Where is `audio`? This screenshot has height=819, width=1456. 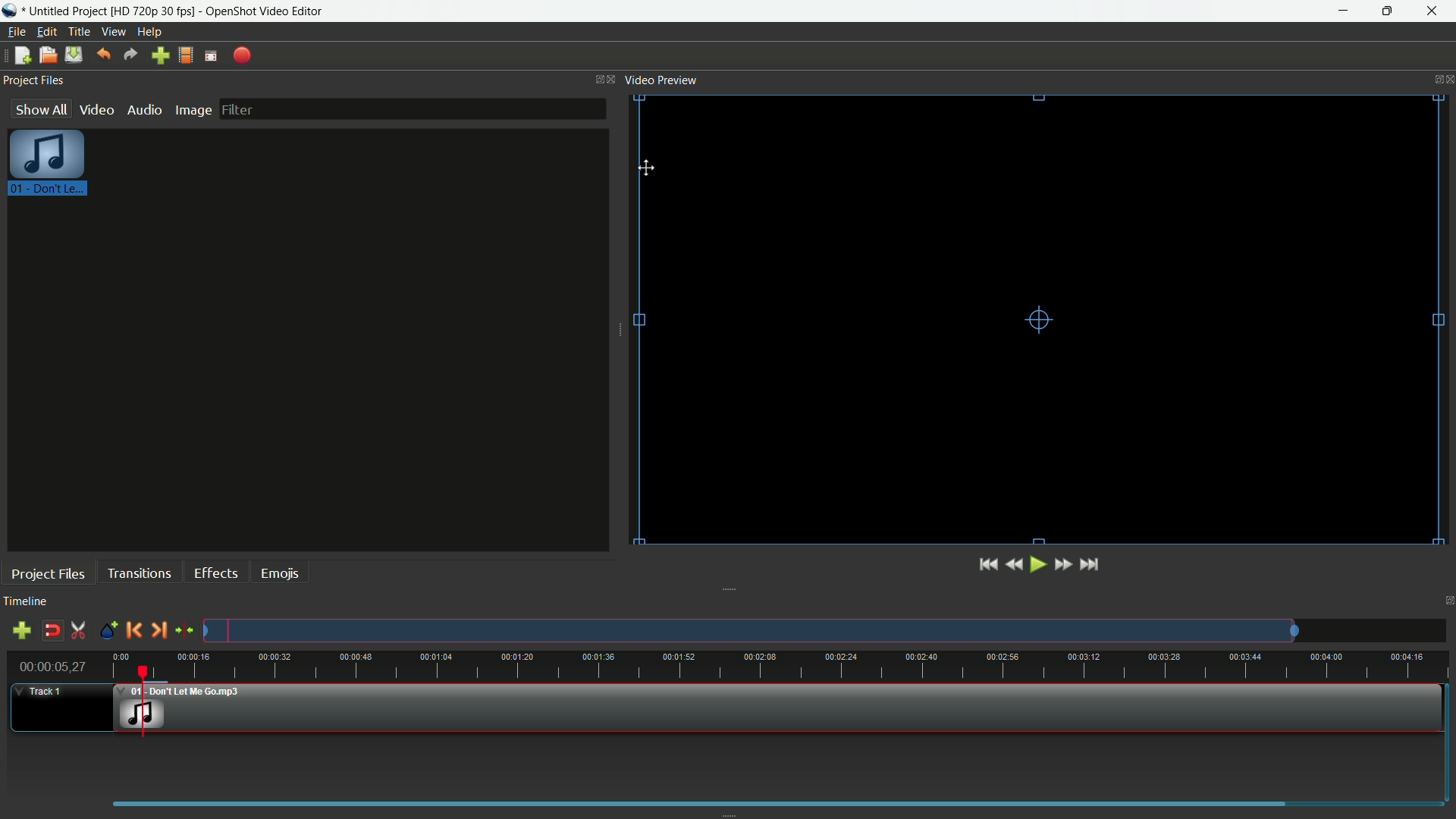 audio is located at coordinates (143, 109).